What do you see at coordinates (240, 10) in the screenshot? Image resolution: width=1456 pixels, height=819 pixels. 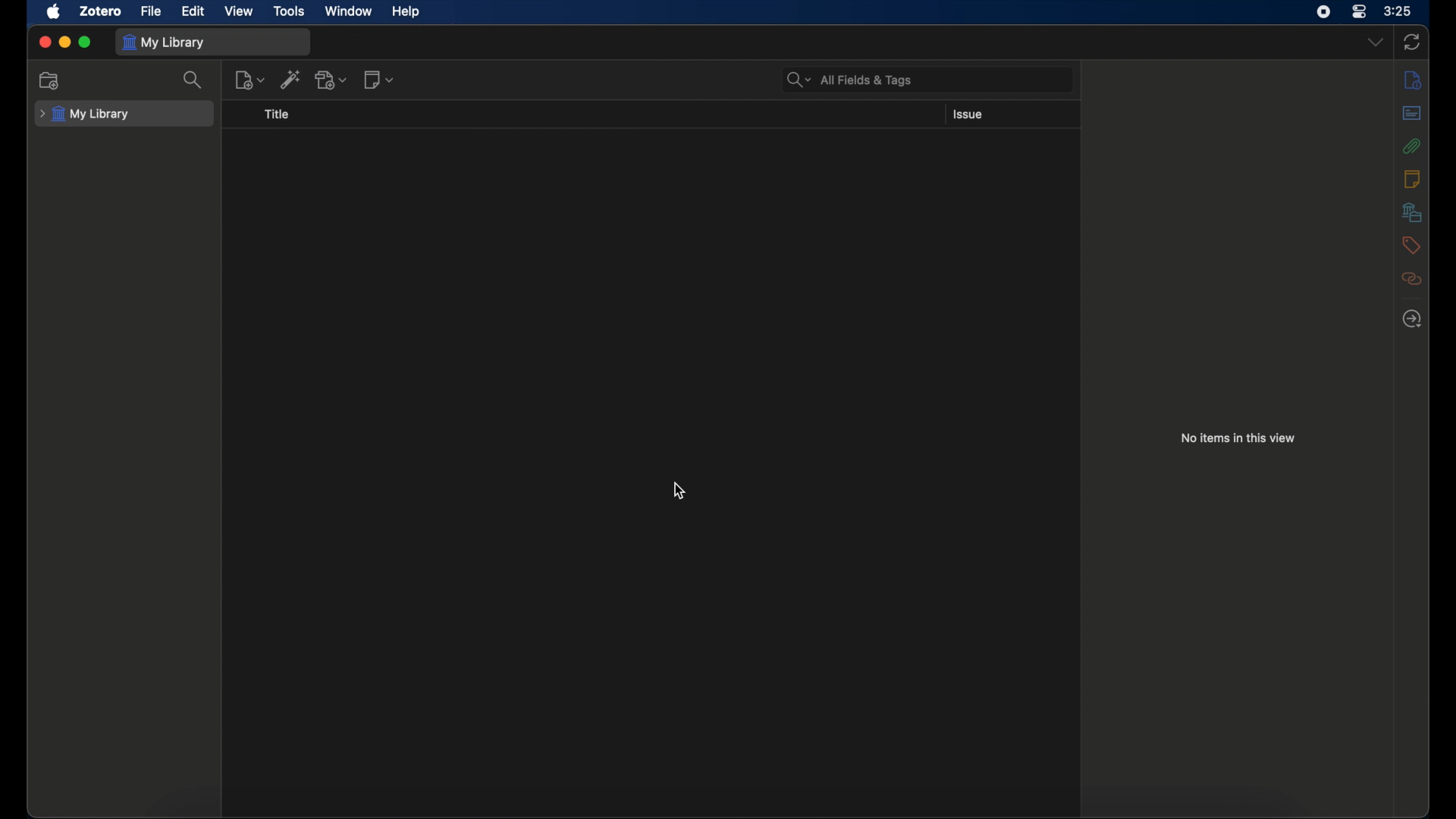 I see `view` at bounding box center [240, 10].